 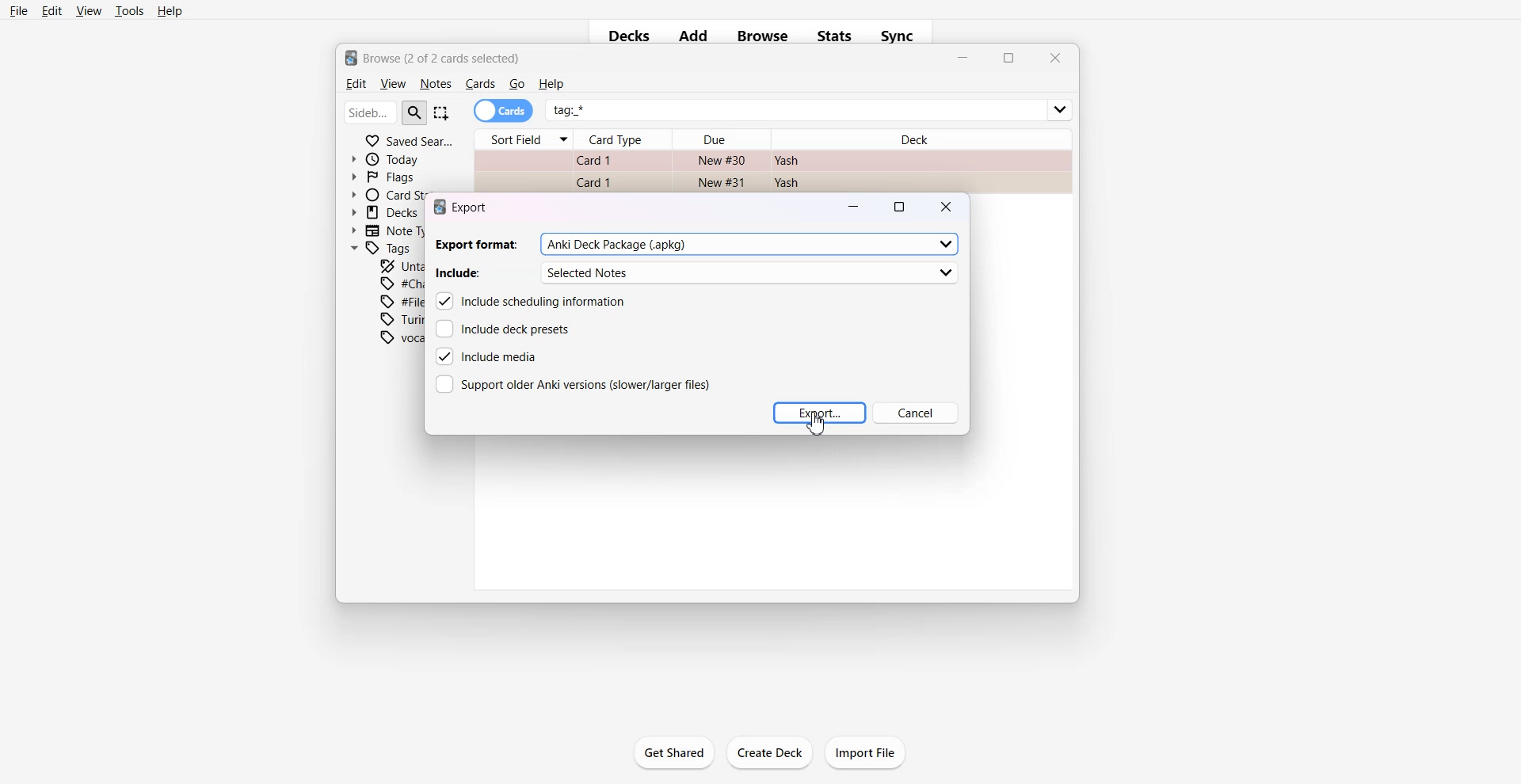 What do you see at coordinates (19, 10) in the screenshot?
I see `File` at bounding box center [19, 10].